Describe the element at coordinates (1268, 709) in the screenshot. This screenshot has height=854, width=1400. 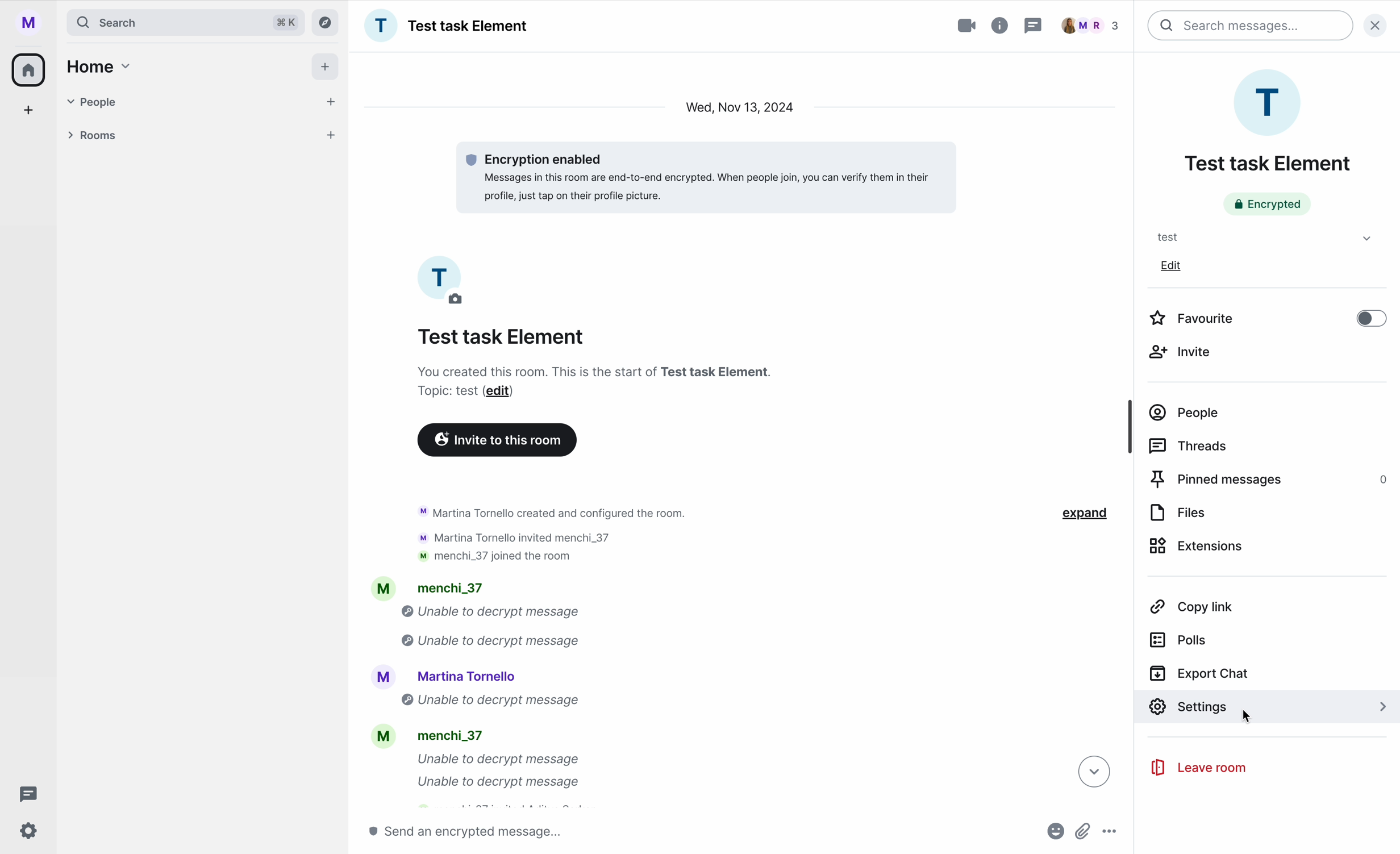
I see `click on settings` at that location.